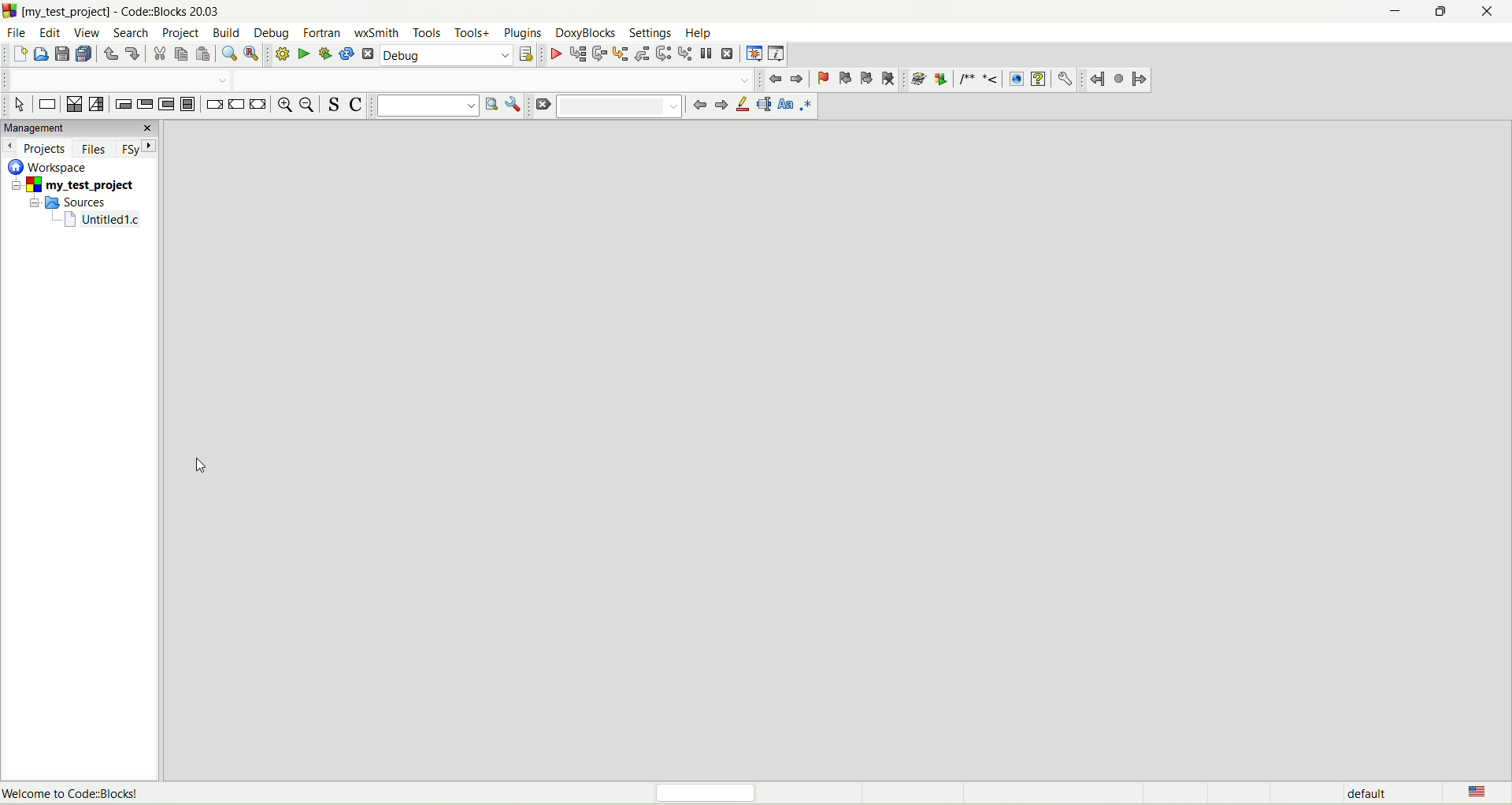 Image resolution: width=1512 pixels, height=805 pixels. What do you see at coordinates (282, 54) in the screenshot?
I see `build` at bounding box center [282, 54].